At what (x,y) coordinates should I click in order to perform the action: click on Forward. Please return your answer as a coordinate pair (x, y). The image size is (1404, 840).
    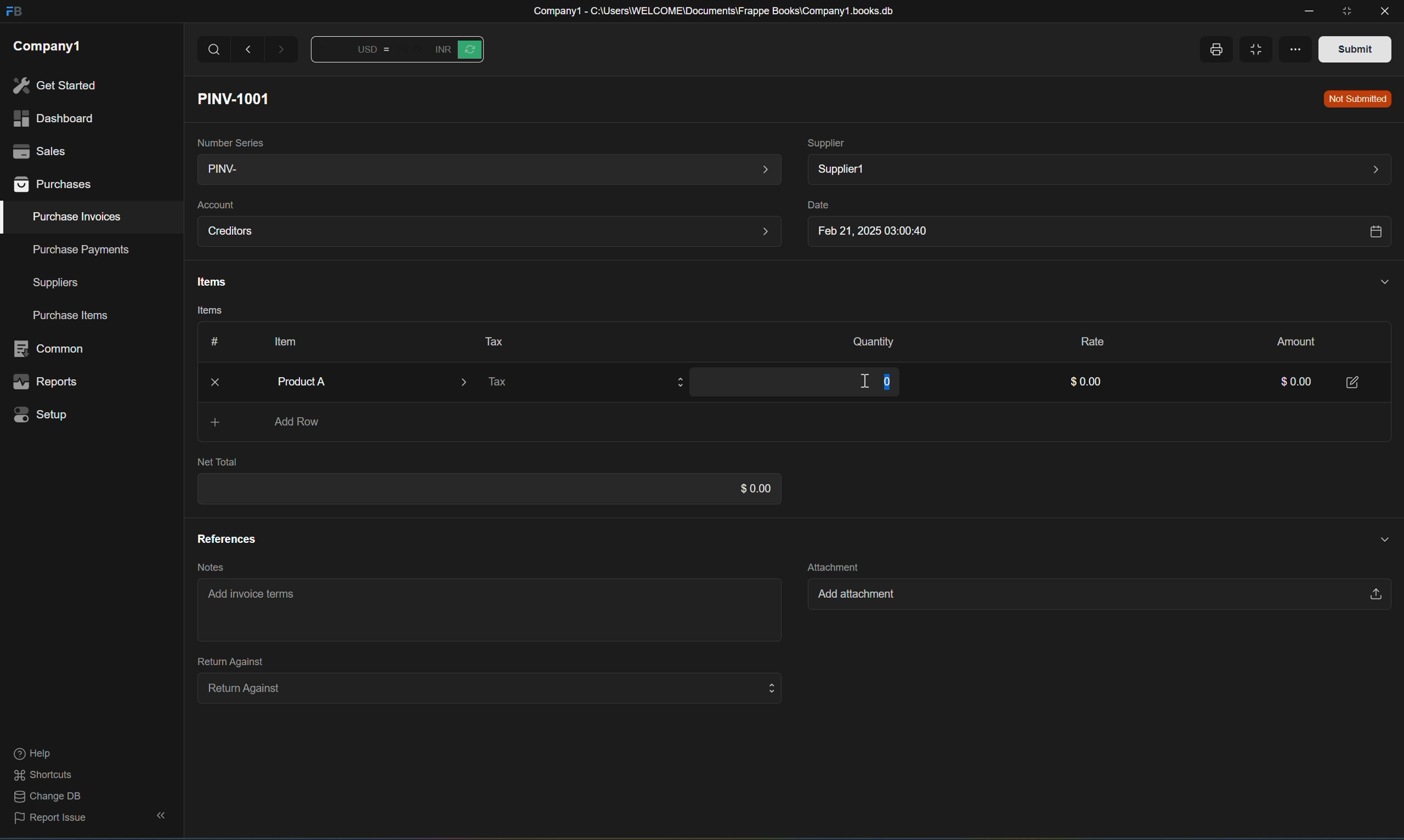
    Looking at the image, I should click on (283, 52).